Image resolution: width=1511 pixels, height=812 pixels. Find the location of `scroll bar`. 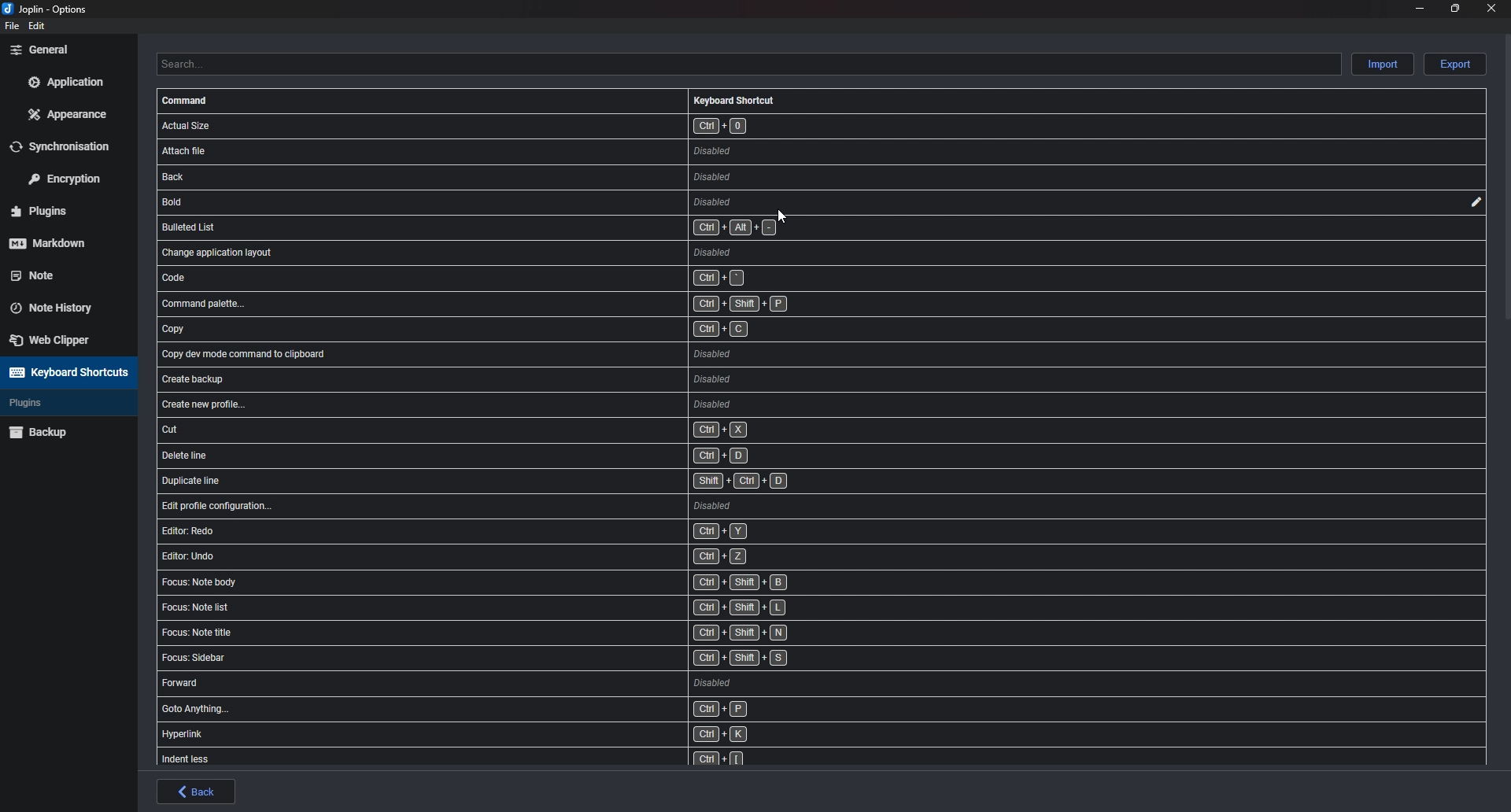

scroll bar is located at coordinates (1507, 175).